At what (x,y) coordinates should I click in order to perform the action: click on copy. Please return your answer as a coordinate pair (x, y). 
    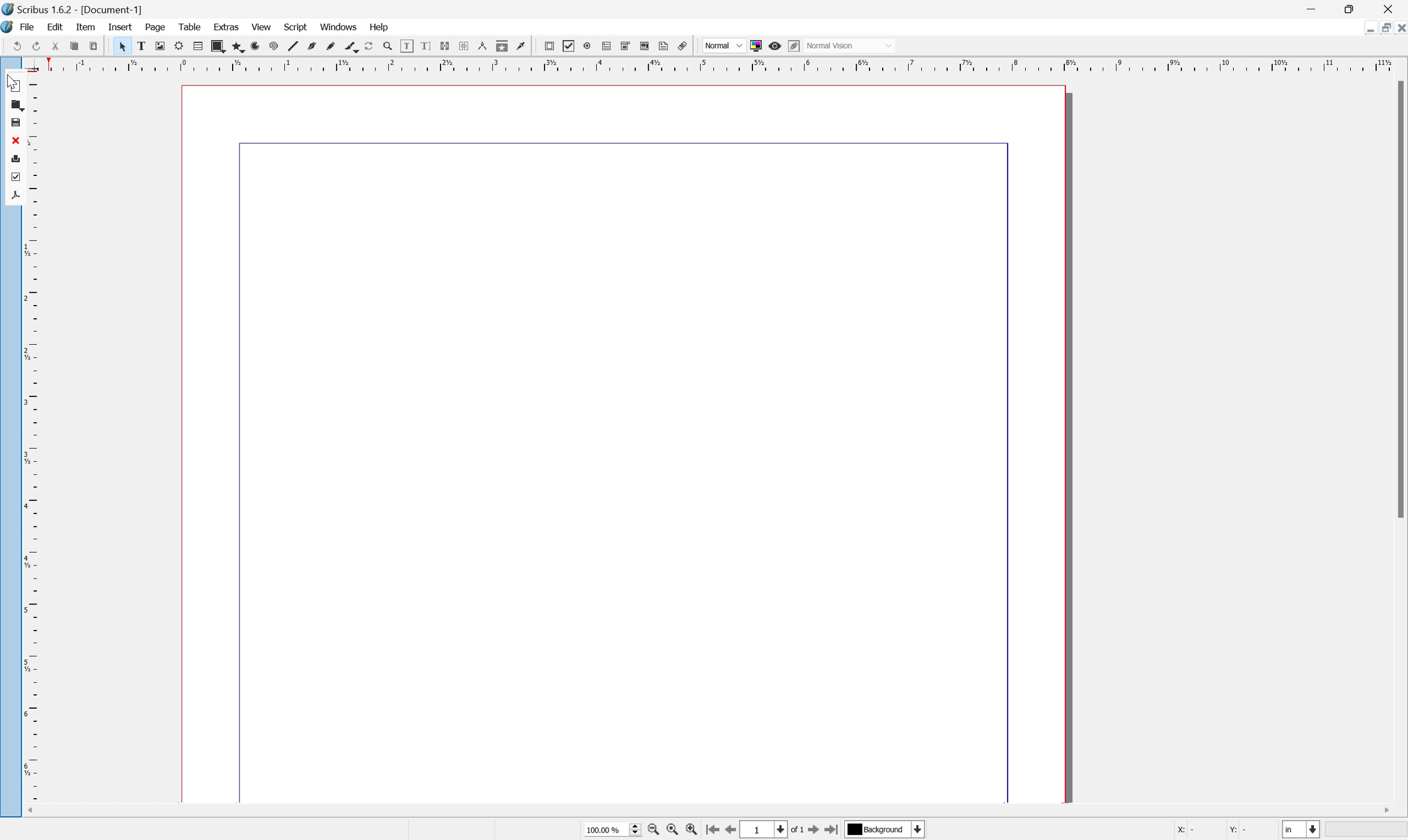
    Looking at the image, I should click on (218, 46).